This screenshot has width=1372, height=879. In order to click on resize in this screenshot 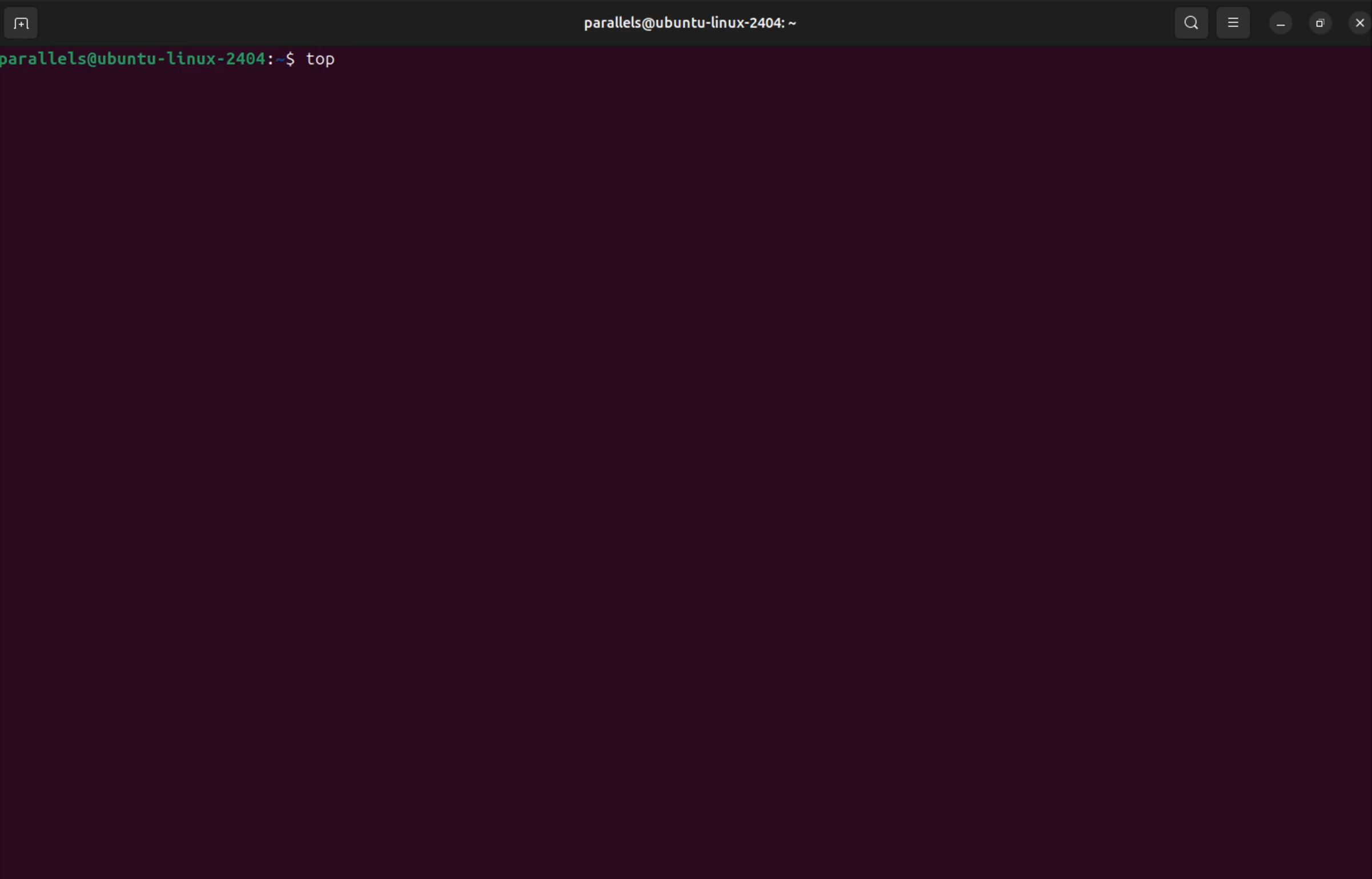, I will do `click(1320, 21)`.